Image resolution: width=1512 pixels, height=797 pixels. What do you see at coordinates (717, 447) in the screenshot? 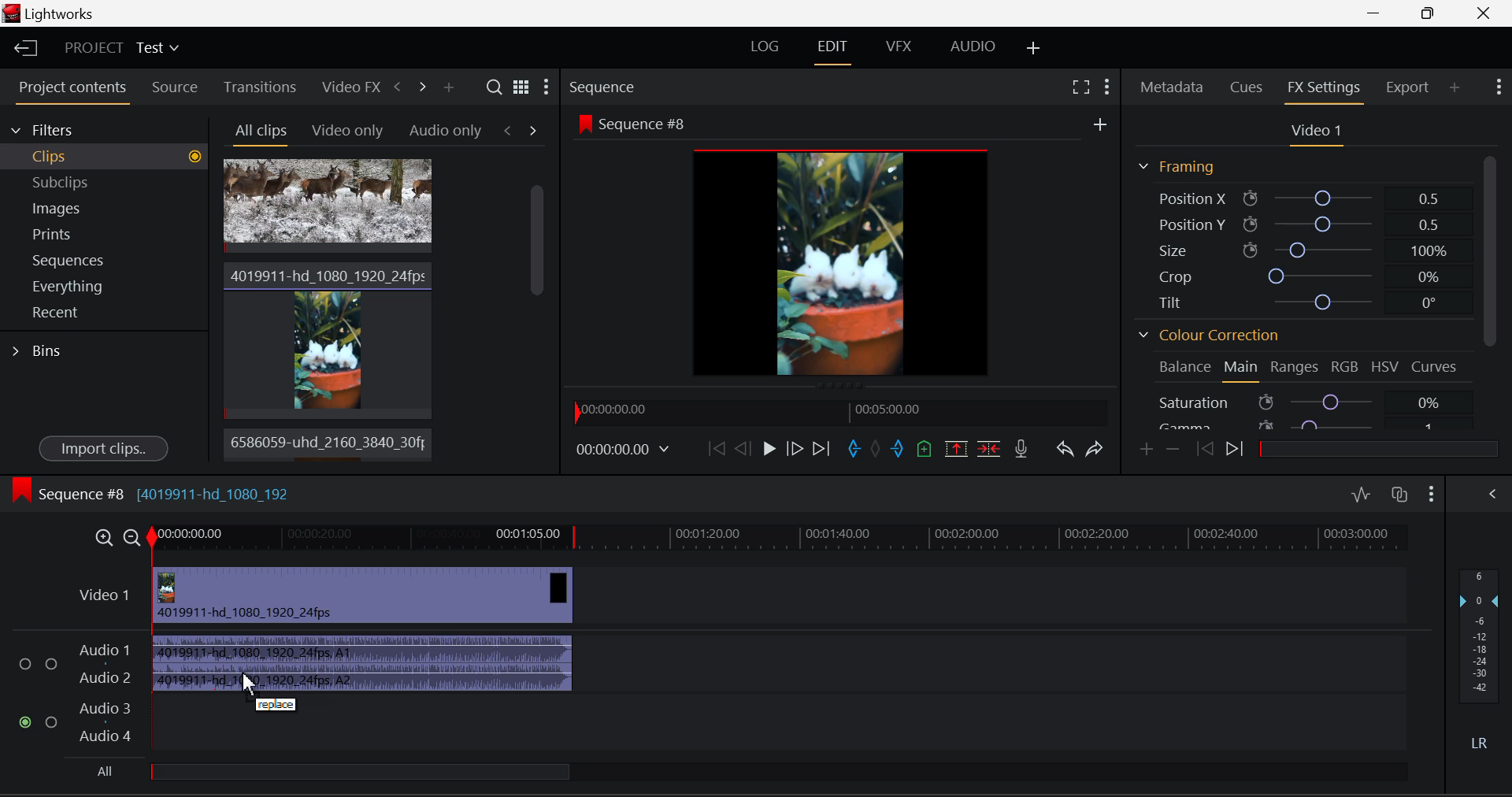
I see `To Start` at bounding box center [717, 447].